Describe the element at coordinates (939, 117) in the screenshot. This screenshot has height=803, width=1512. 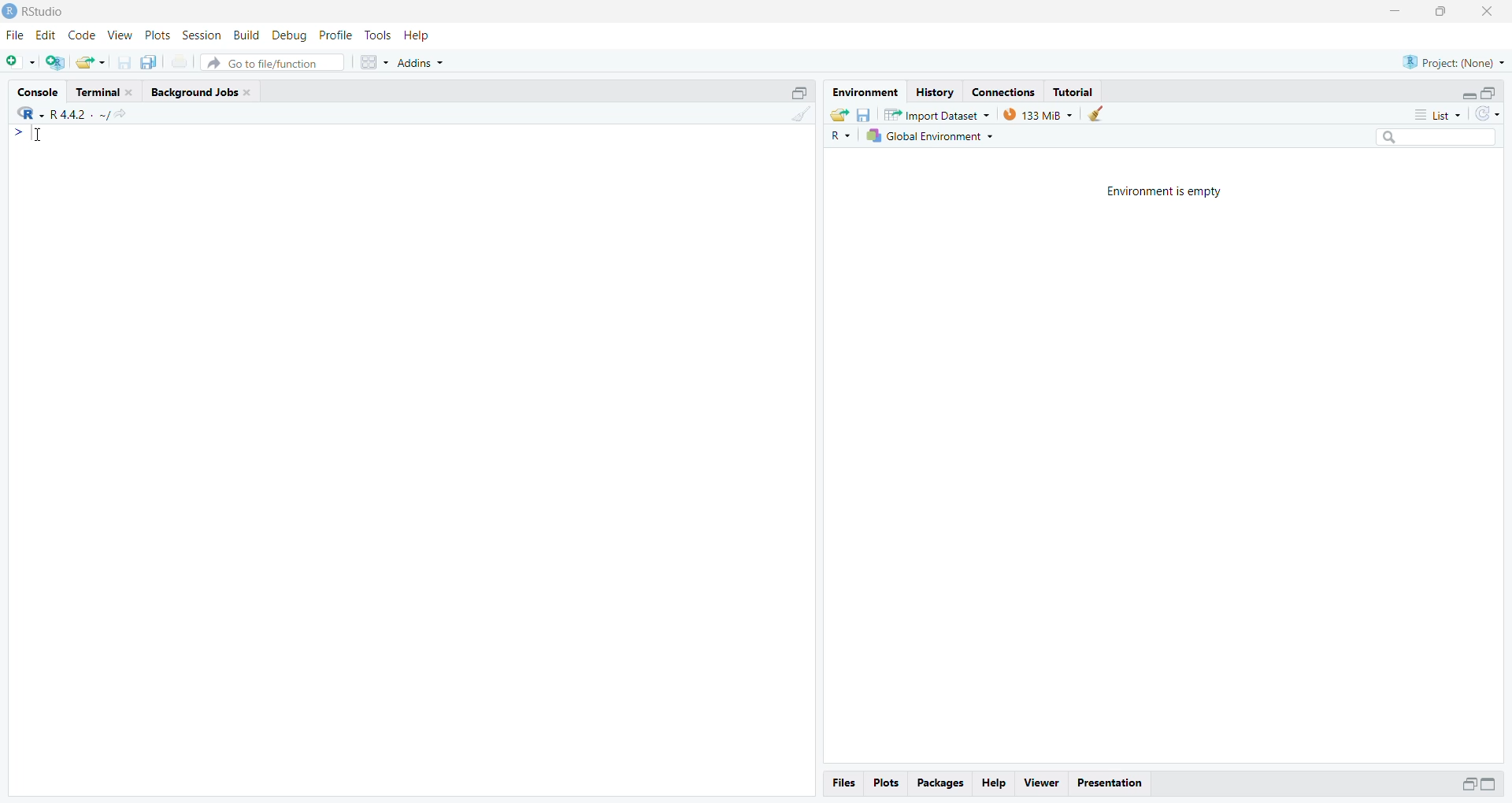
I see `Import Dataset` at that location.